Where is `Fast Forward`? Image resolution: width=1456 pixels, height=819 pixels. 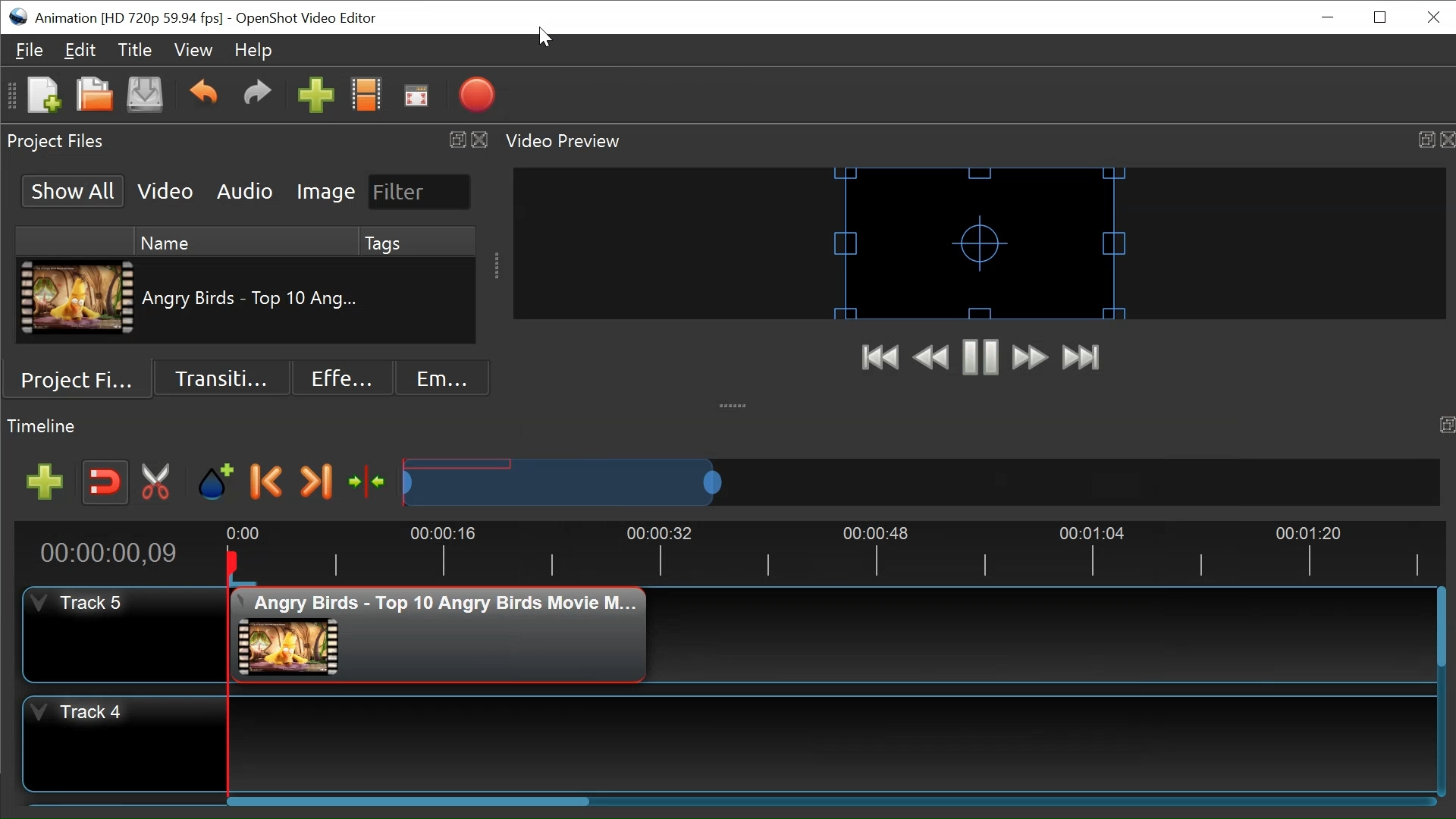
Fast Forward is located at coordinates (1030, 359).